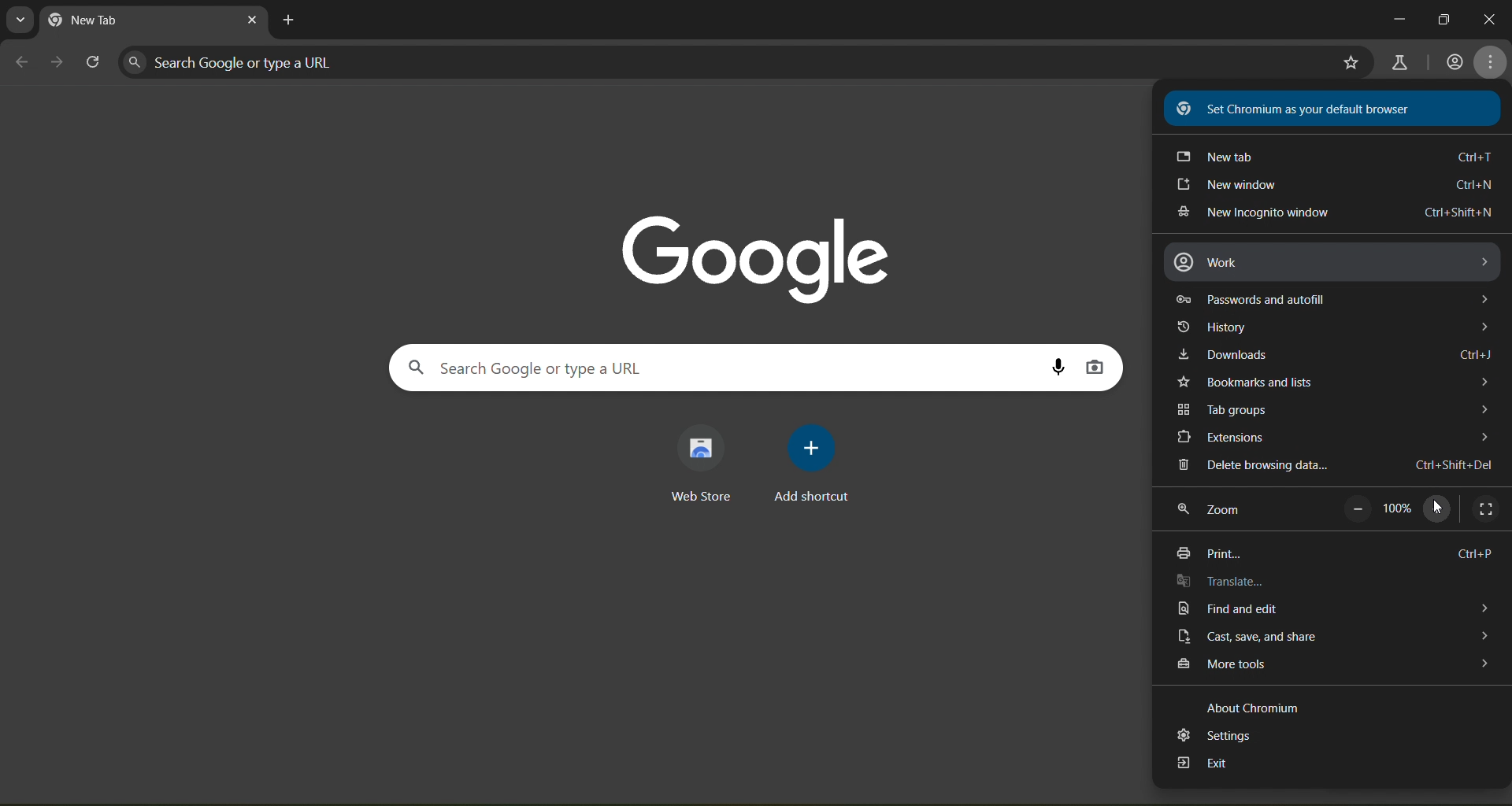 The height and width of the screenshot is (806, 1512). What do you see at coordinates (291, 20) in the screenshot?
I see `new tab` at bounding box center [291, 20].